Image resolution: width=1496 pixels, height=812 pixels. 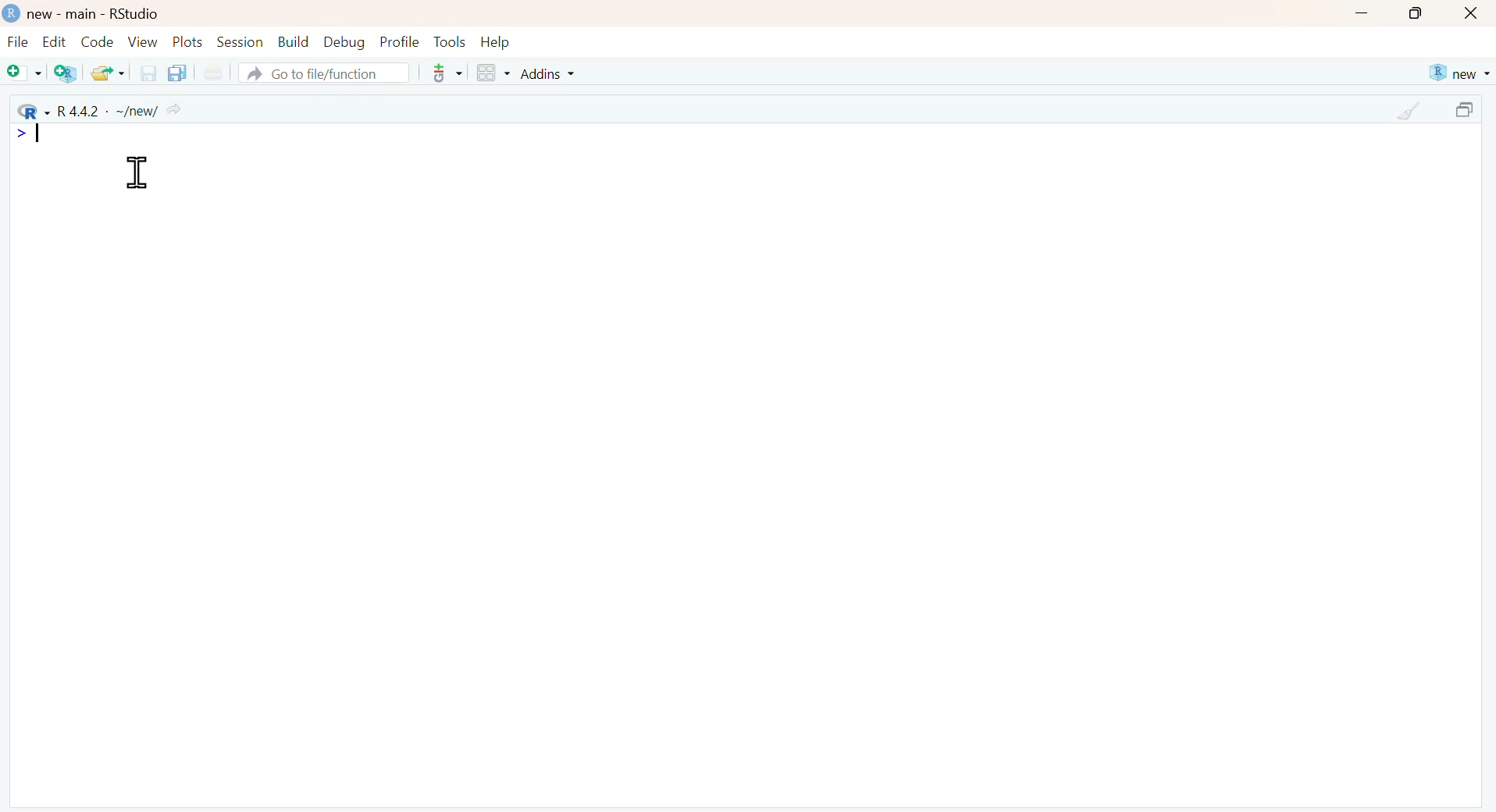 I want to click on save the current document, so click(x=146, y=73).